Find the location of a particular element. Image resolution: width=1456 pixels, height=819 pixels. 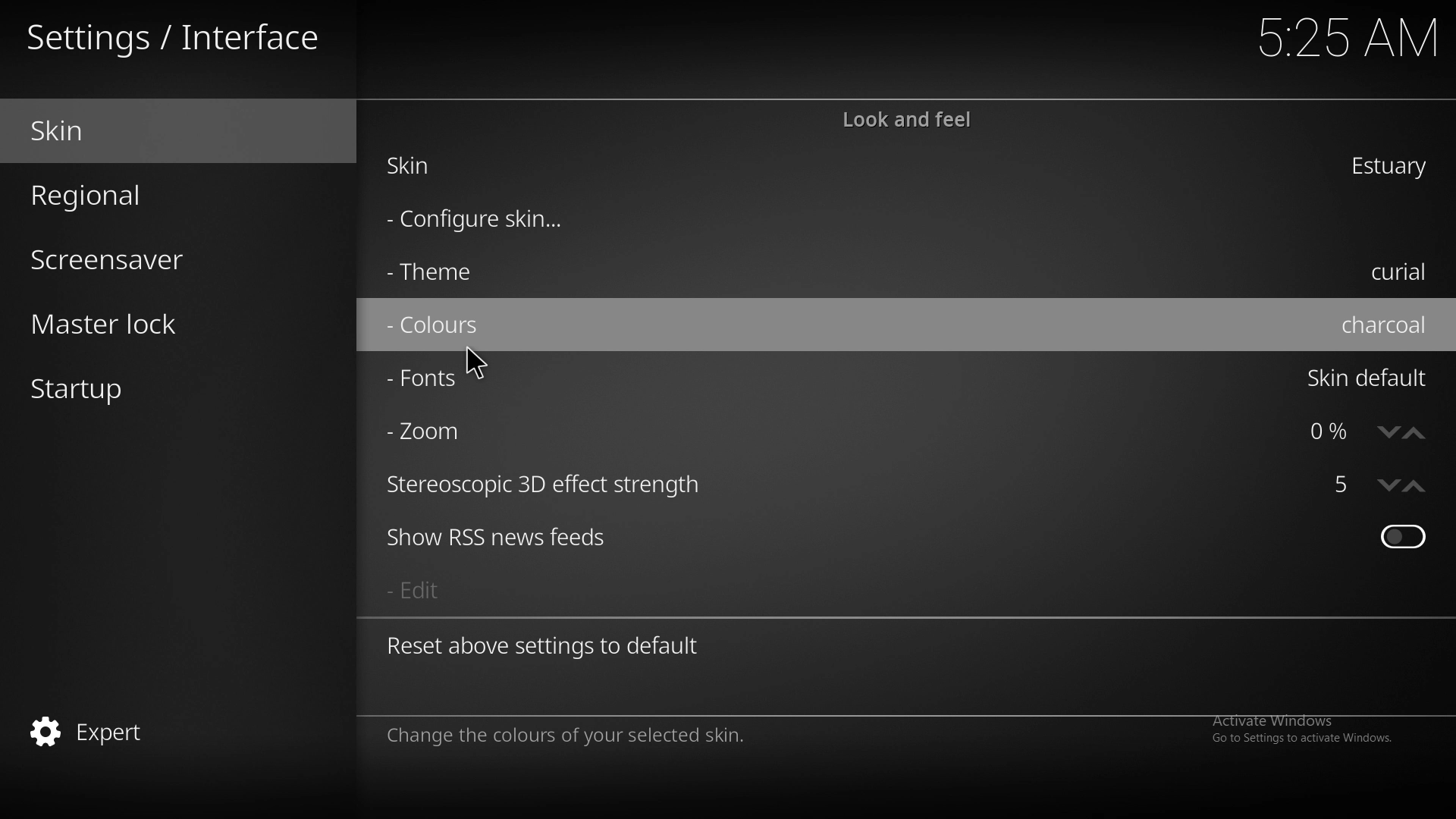

increase is located at coordinates (1416, 488).